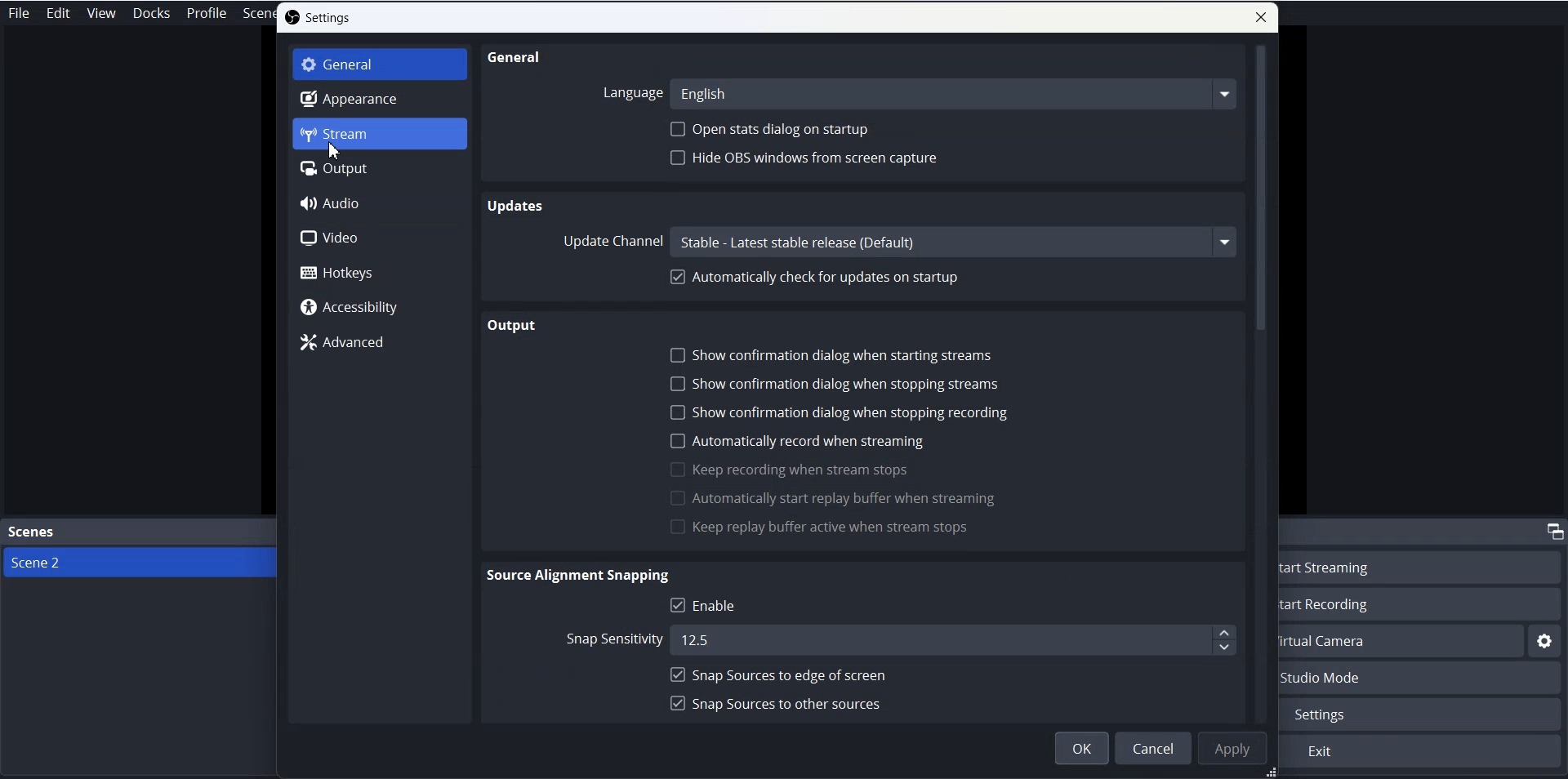  What do you see at coordinates (1081, 748) in the screenshot?
I see `OK` at bounding box center [1081, 748].